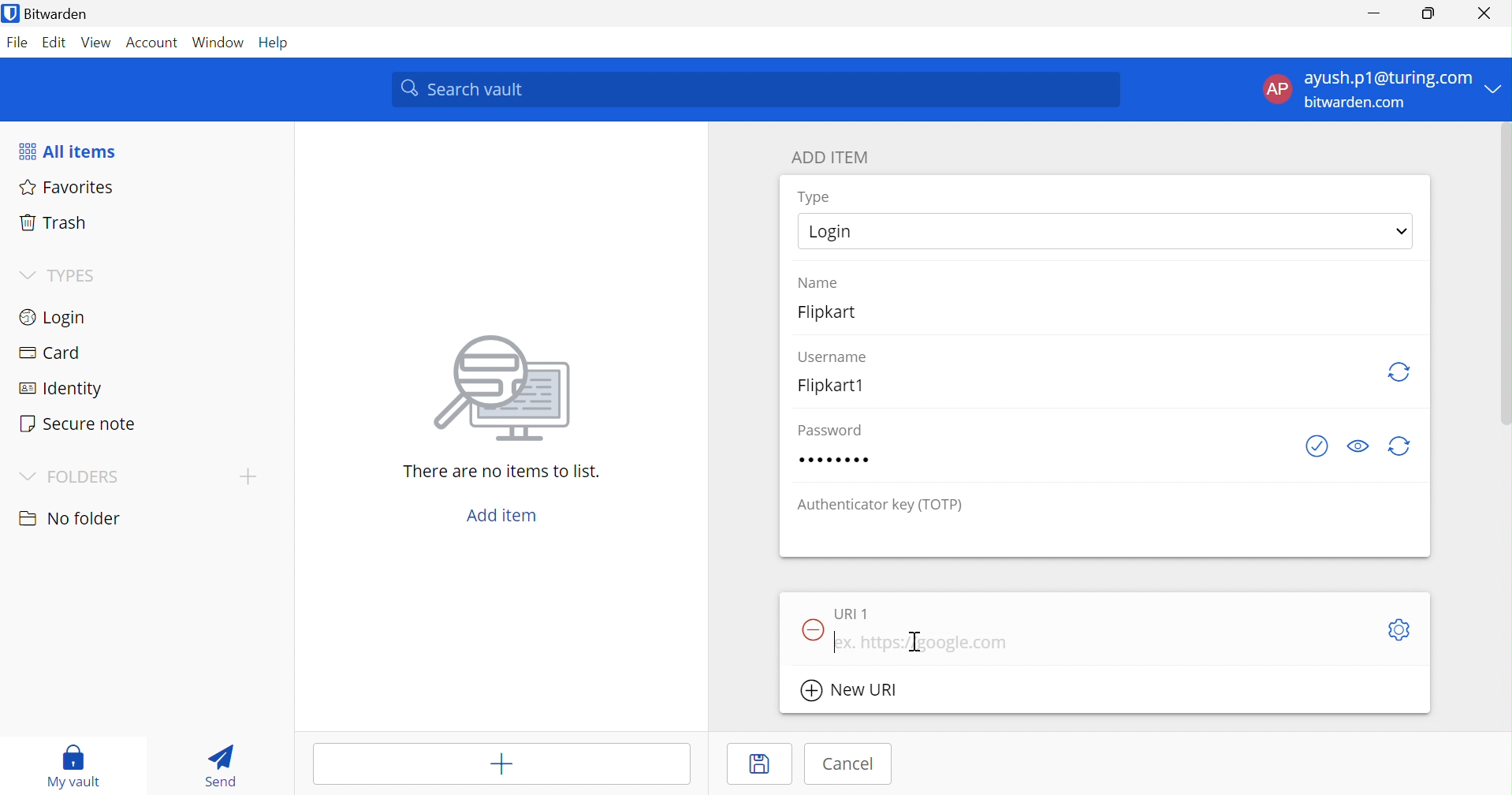 This screenshot has width=1512, height=795. What do you see at coordinates (51, 42) in the screenshot?
I see `Edit` at bounding box center [51, 42].